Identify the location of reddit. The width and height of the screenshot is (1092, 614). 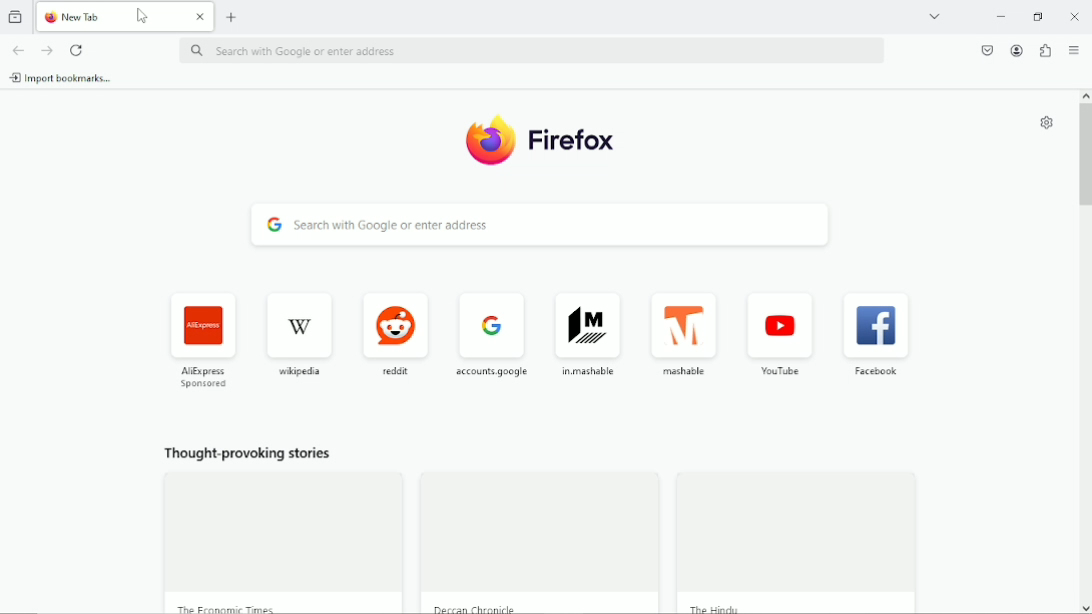
(396, 333).